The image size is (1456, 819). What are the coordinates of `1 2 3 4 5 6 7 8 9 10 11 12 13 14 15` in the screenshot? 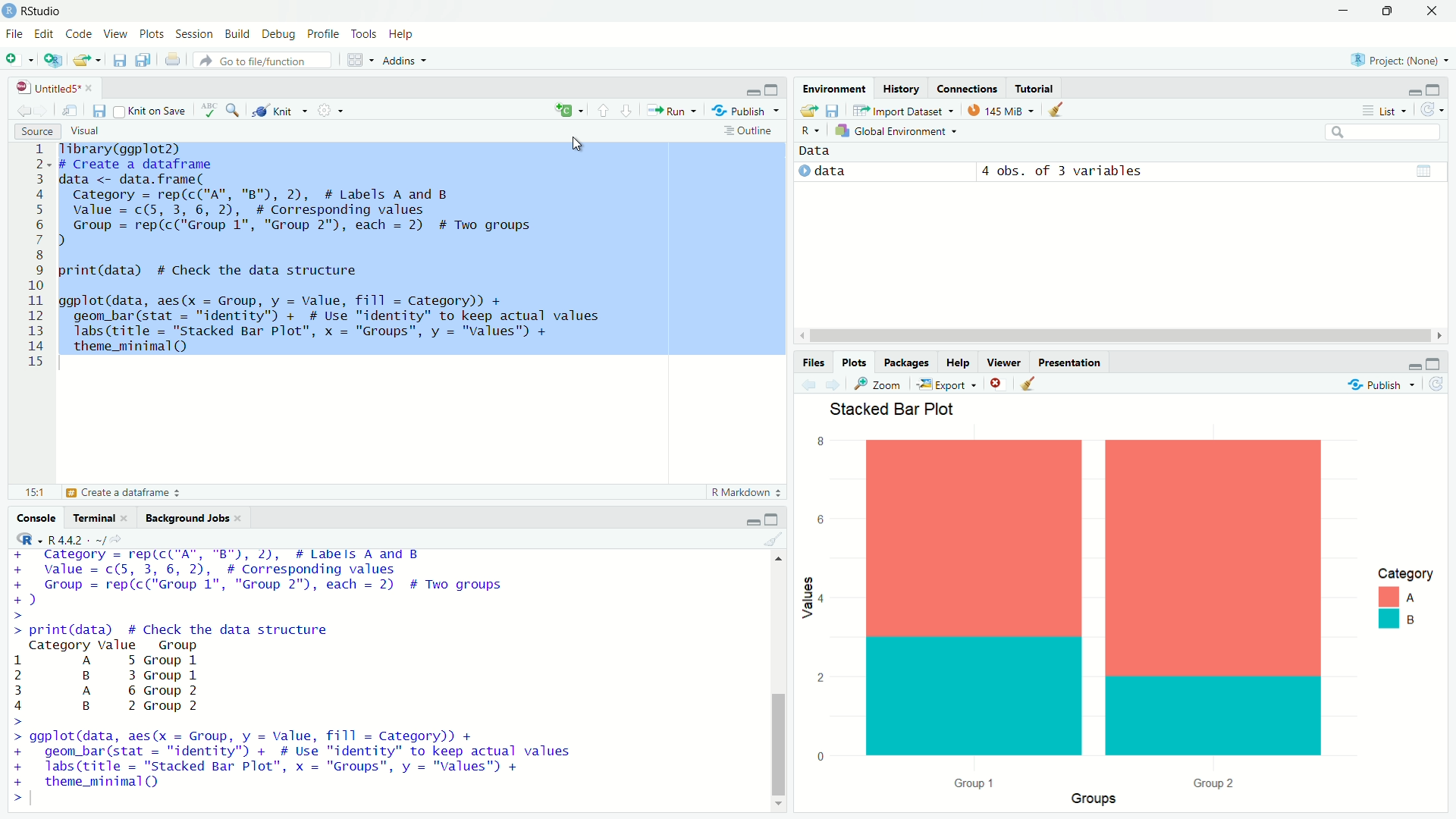 It's located at (37, 257).